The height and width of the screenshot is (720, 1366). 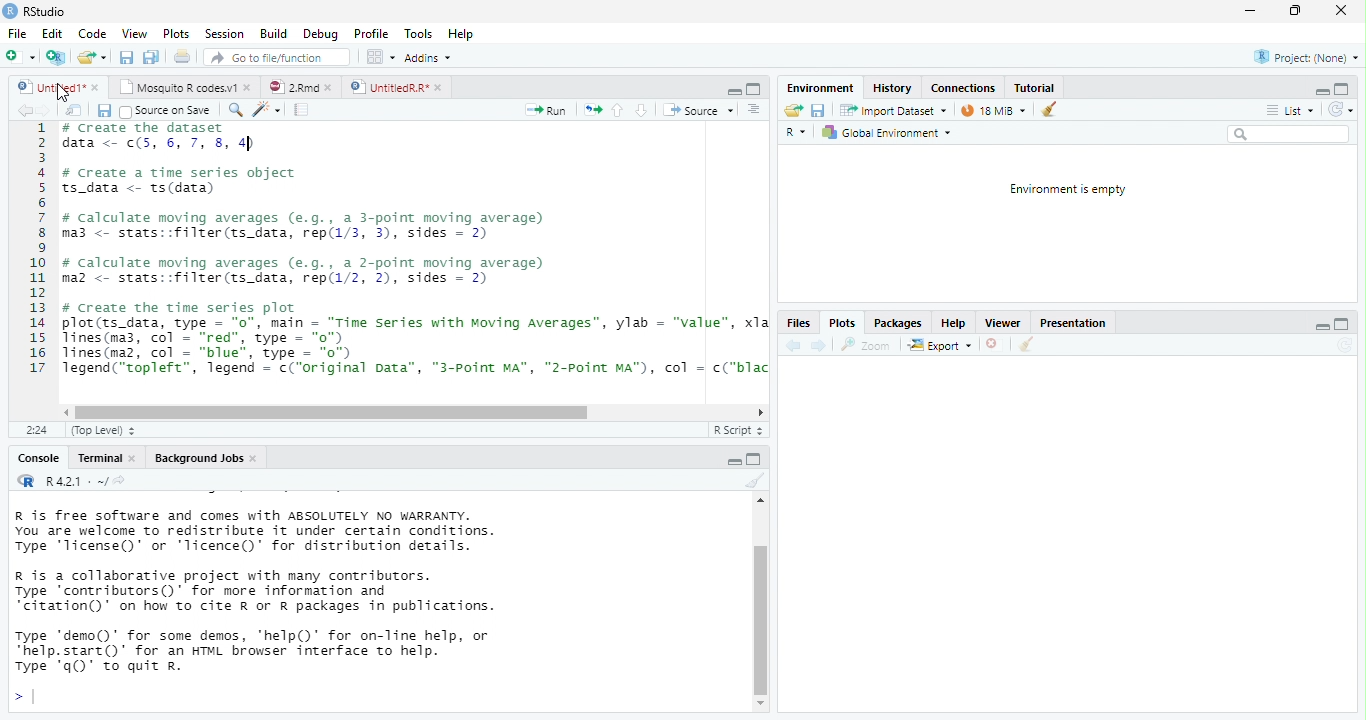 What do you see at coordinates (396, 255) in the screenshot?
I see `1 # Create the dataset

2 data <- (5, 6, 7, 8, 4)

3

4 # create a time series object

5 ts_data <- ts(data)

6

7 # calculate moving averages (e.g., a 3-point moving average)

8 ma3 <- stats::filter(ts_data, rep(1/3, 3), sides = 2)

9

10 # calculate moving averages (e.g., a 2-point moving average)

11 maz <- stats::filter(ts_data, rep(1/2, 2), sides = 2)

12

13 # create the time series plot

14 plot(ts_data, type = "0", main = "Time series with moving Averages”, ylab = "value", x1:
15 lines(ma3, col = "red", type = "o")

16 lines(ma2, col = “blue”, type = "o")

17 legend(“topleft”, legend = c(“original pata”, "3-point MA", "2-point MA"), col = c(“blac` at bounding box center [396, 255].